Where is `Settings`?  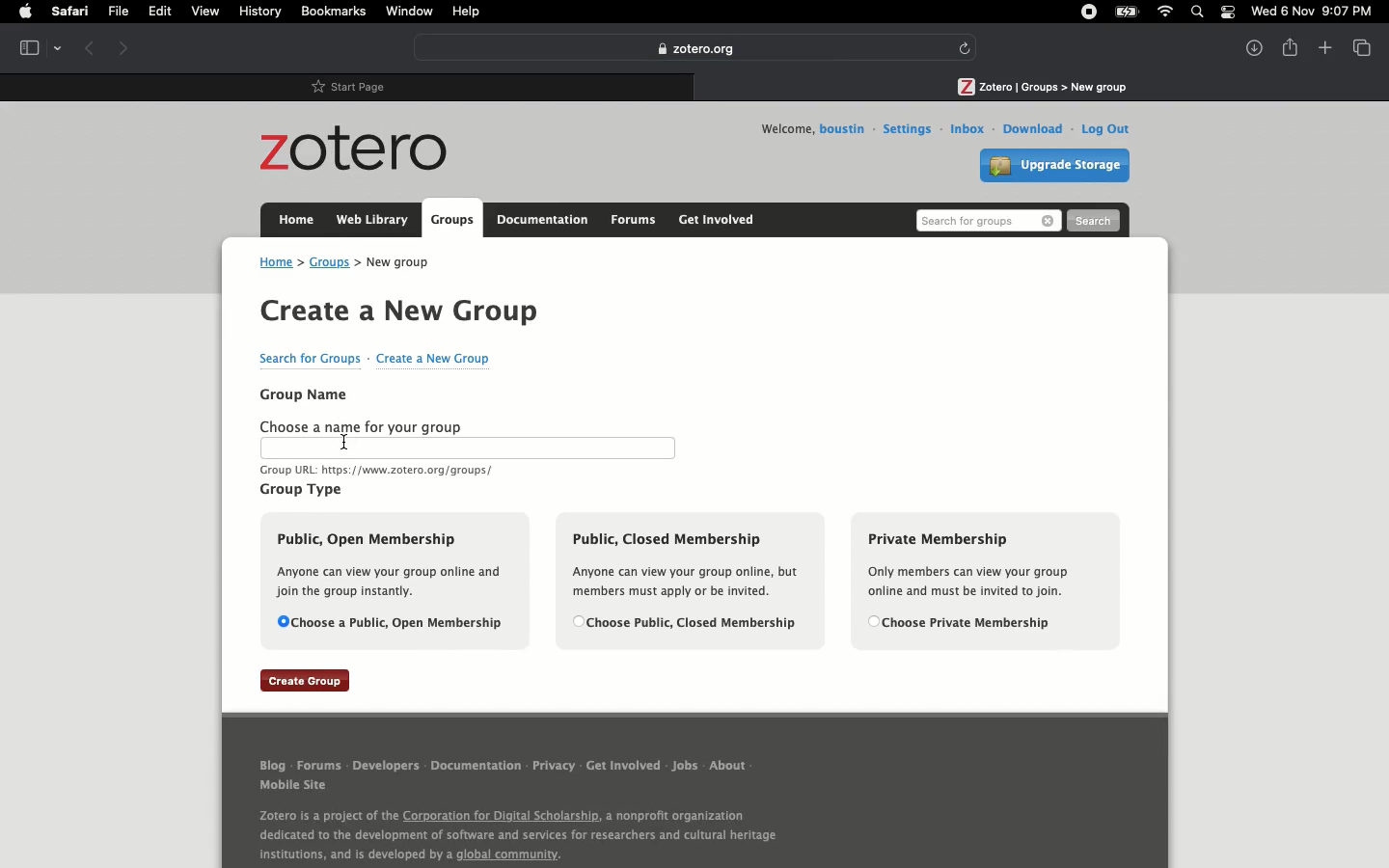 Settings is located at coordinates (907, 129).